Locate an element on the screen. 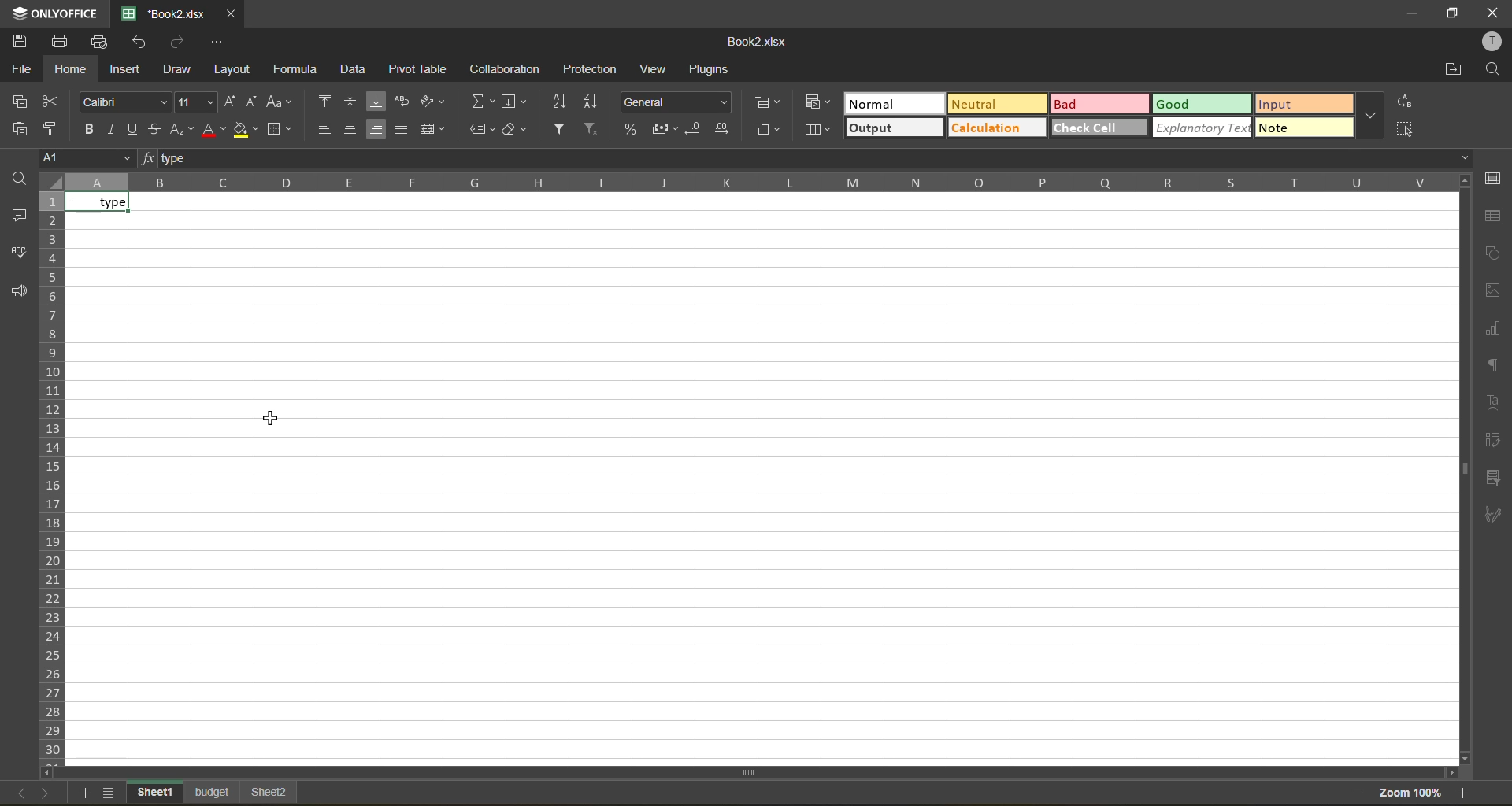 The height and width of the screenshot is (806, 1512). cut is located at coordinates (57, 104).